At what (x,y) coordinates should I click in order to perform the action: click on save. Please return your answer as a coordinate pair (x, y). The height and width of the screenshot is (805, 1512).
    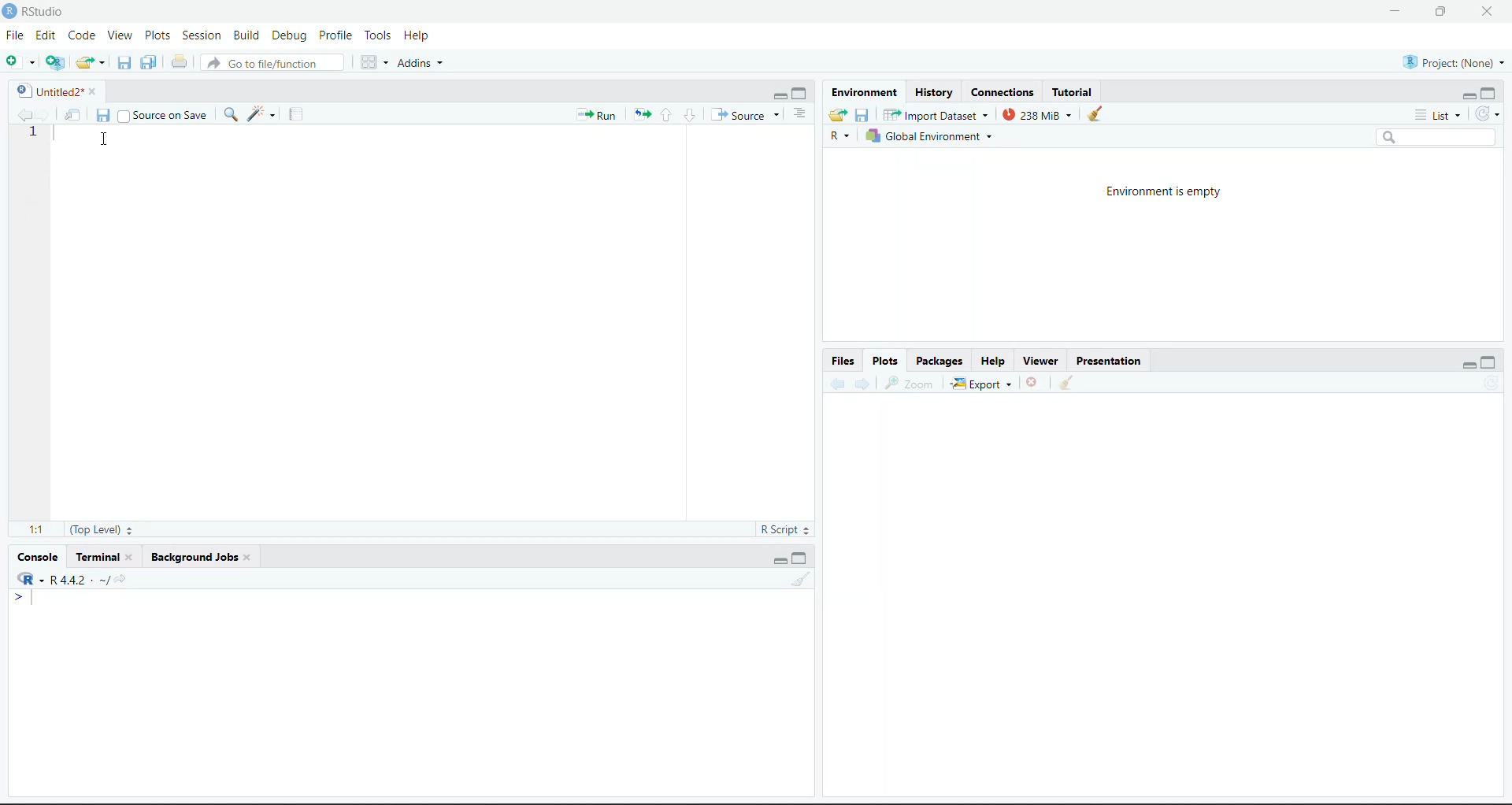
    Looking at the image, I should click on (103, 116).